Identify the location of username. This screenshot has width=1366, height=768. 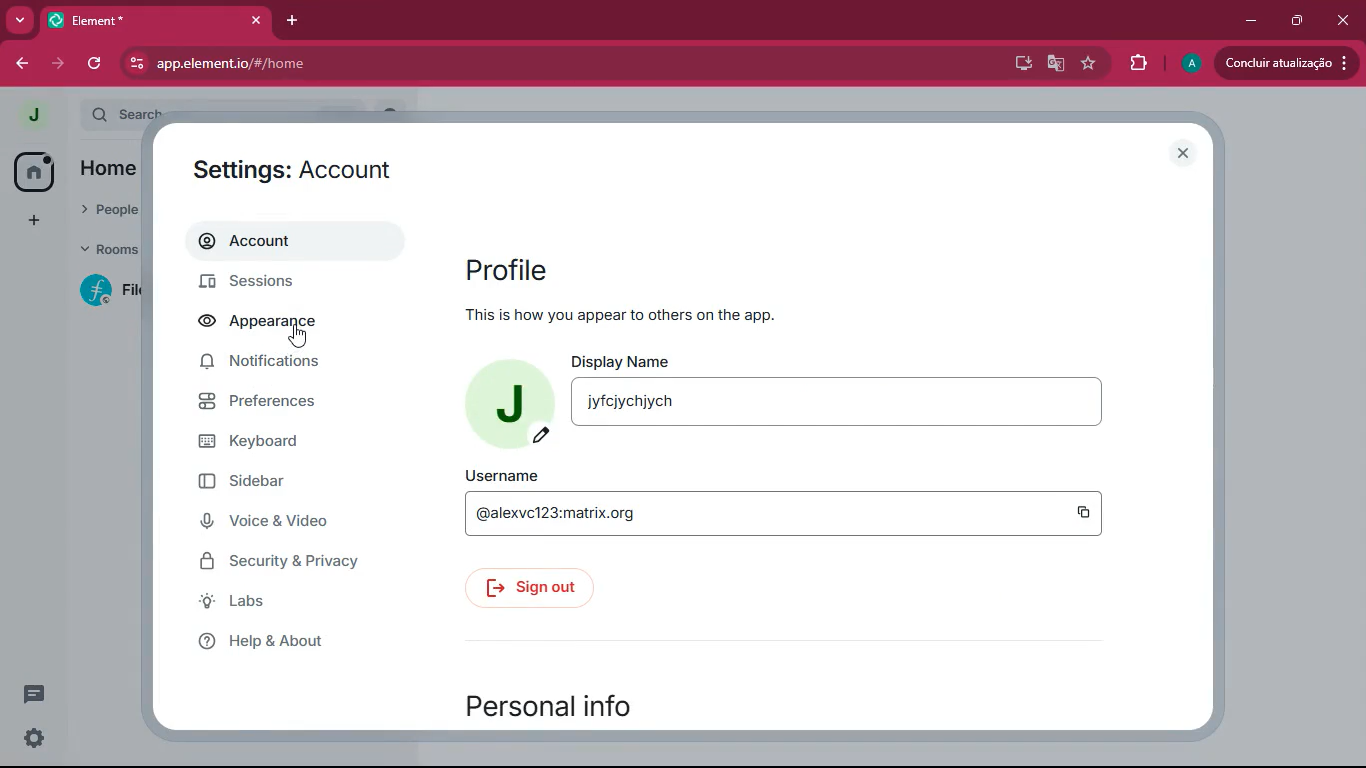
(783, 514).